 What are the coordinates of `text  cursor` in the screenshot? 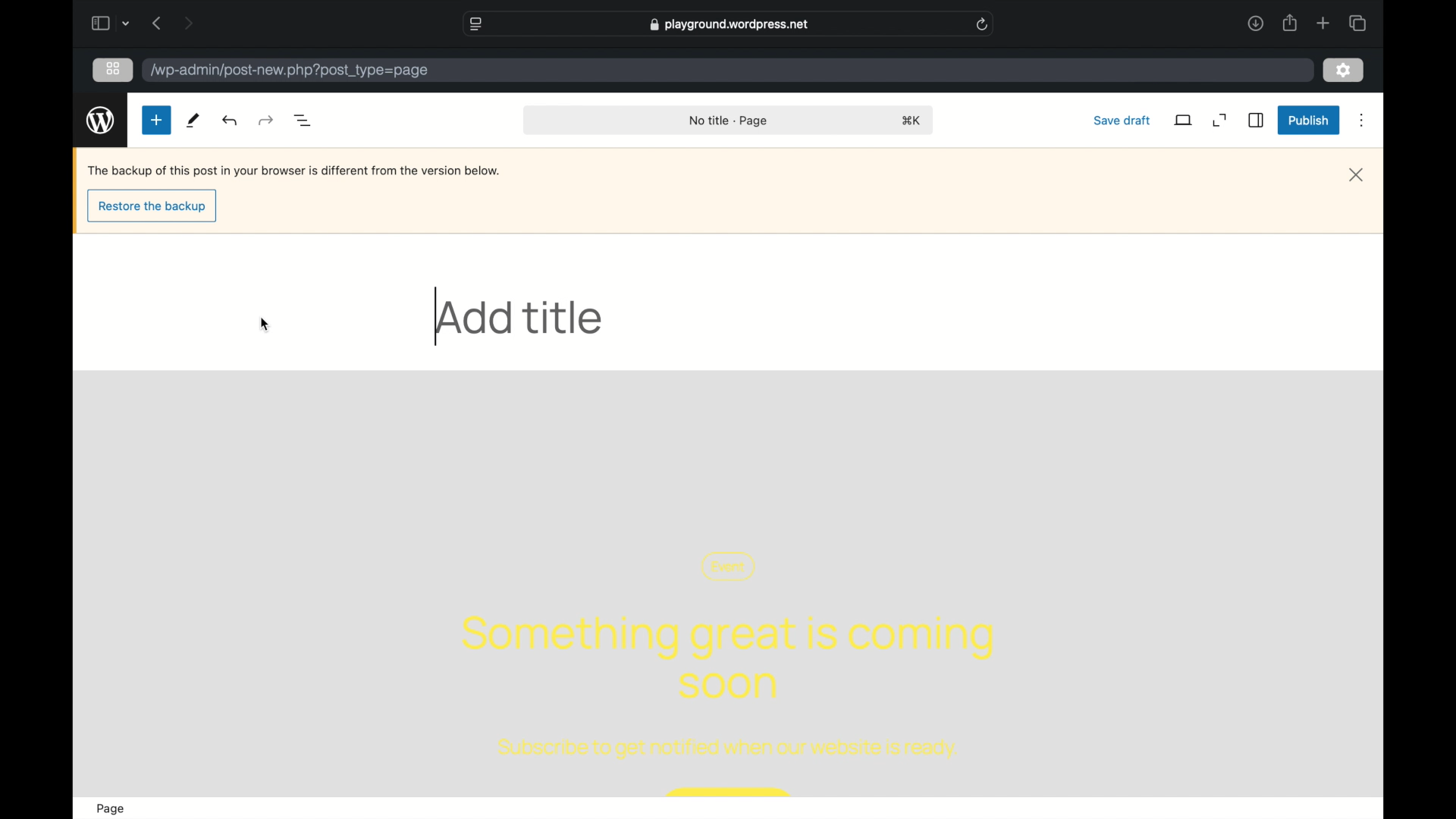 It's located at (438, 316).